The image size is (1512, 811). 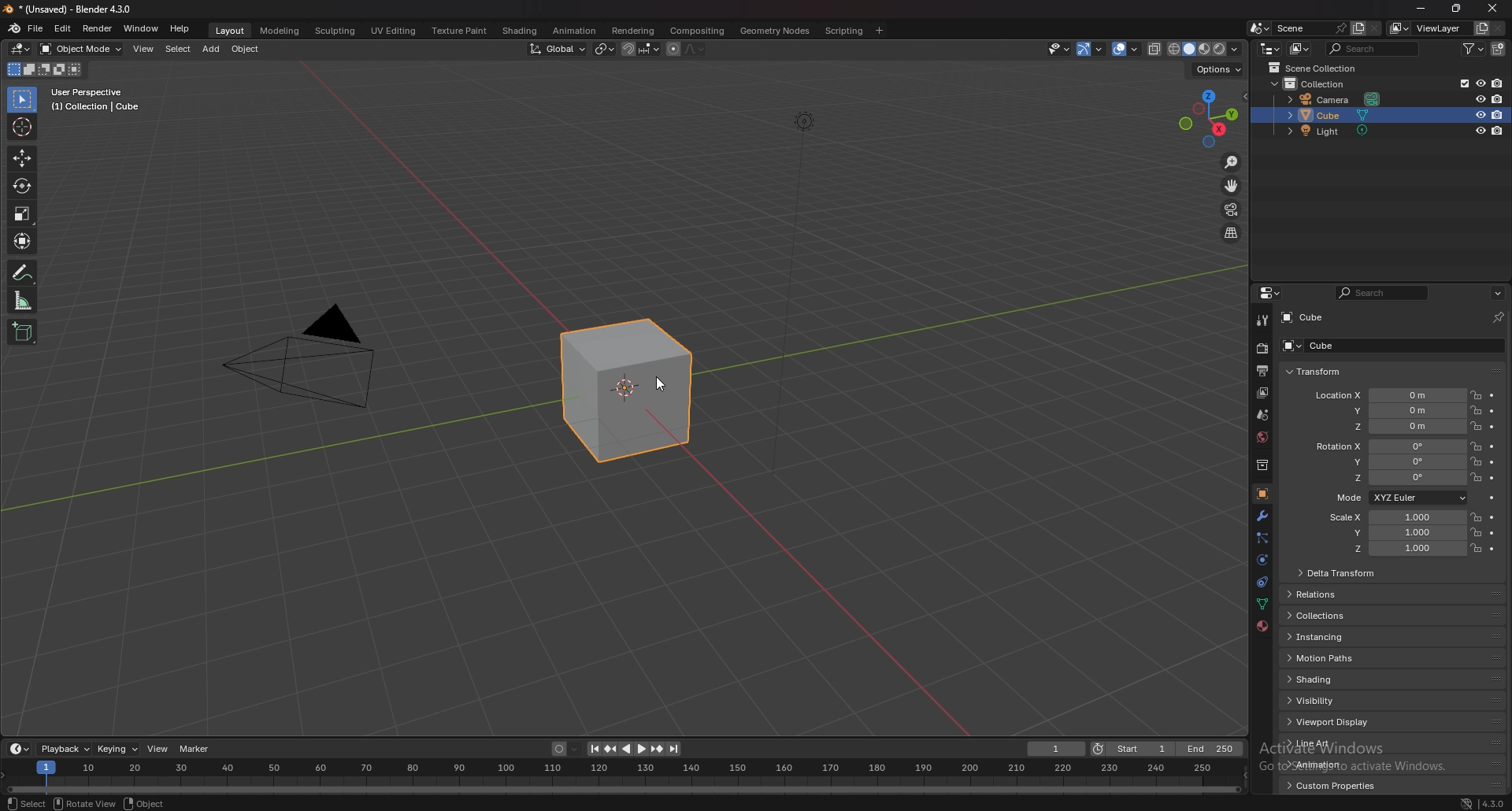 What do you see at coordinates (21, 241) in the screenshot?
I see `transform` at bounding box center [21, 241].